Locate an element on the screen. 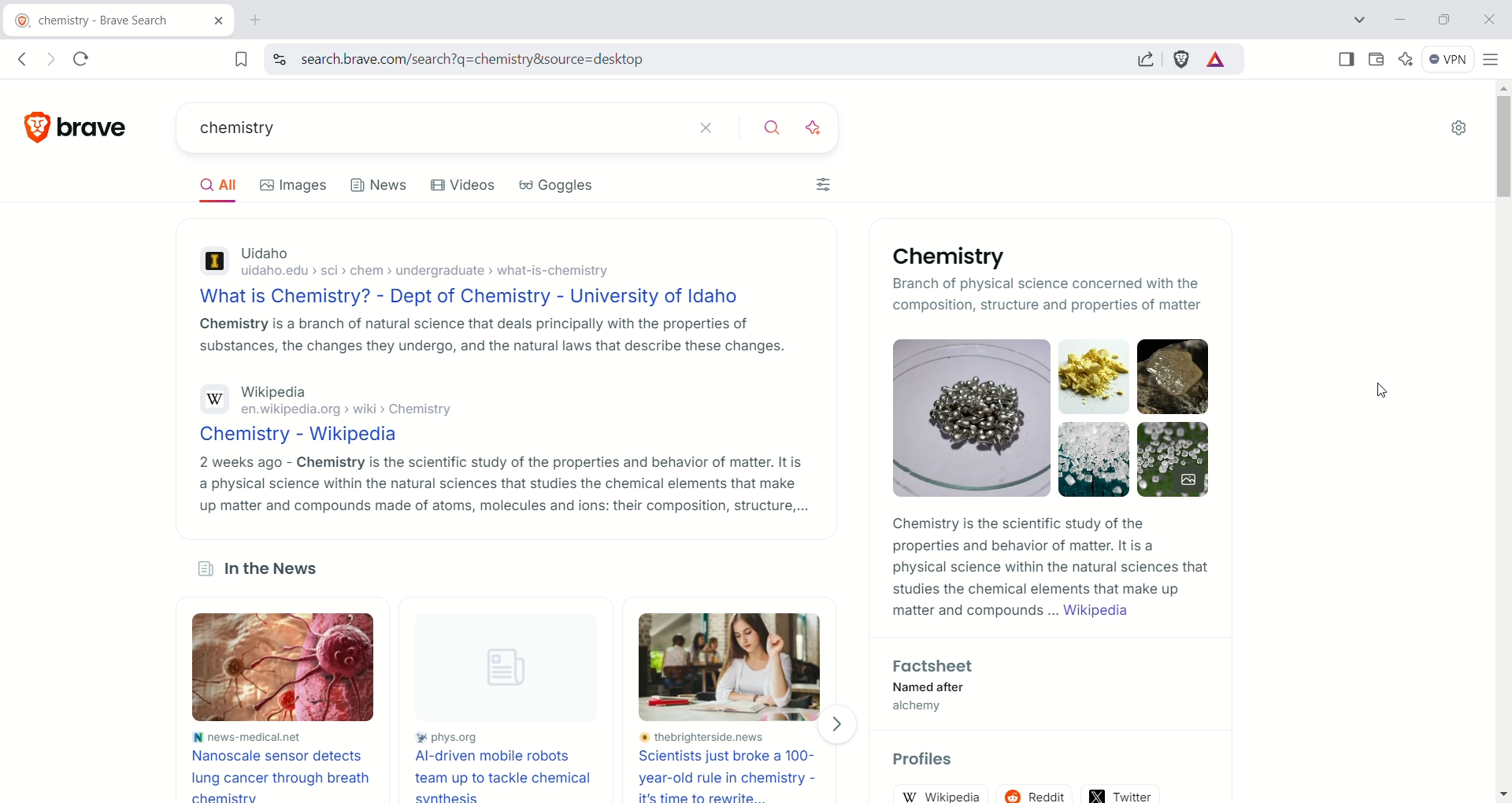 Image resolution: width=1512 pixels, height=803 pixels. phys.org AI-driven mobile robots team up to tackle chemical synthesis is located at coordinates (506, 765).